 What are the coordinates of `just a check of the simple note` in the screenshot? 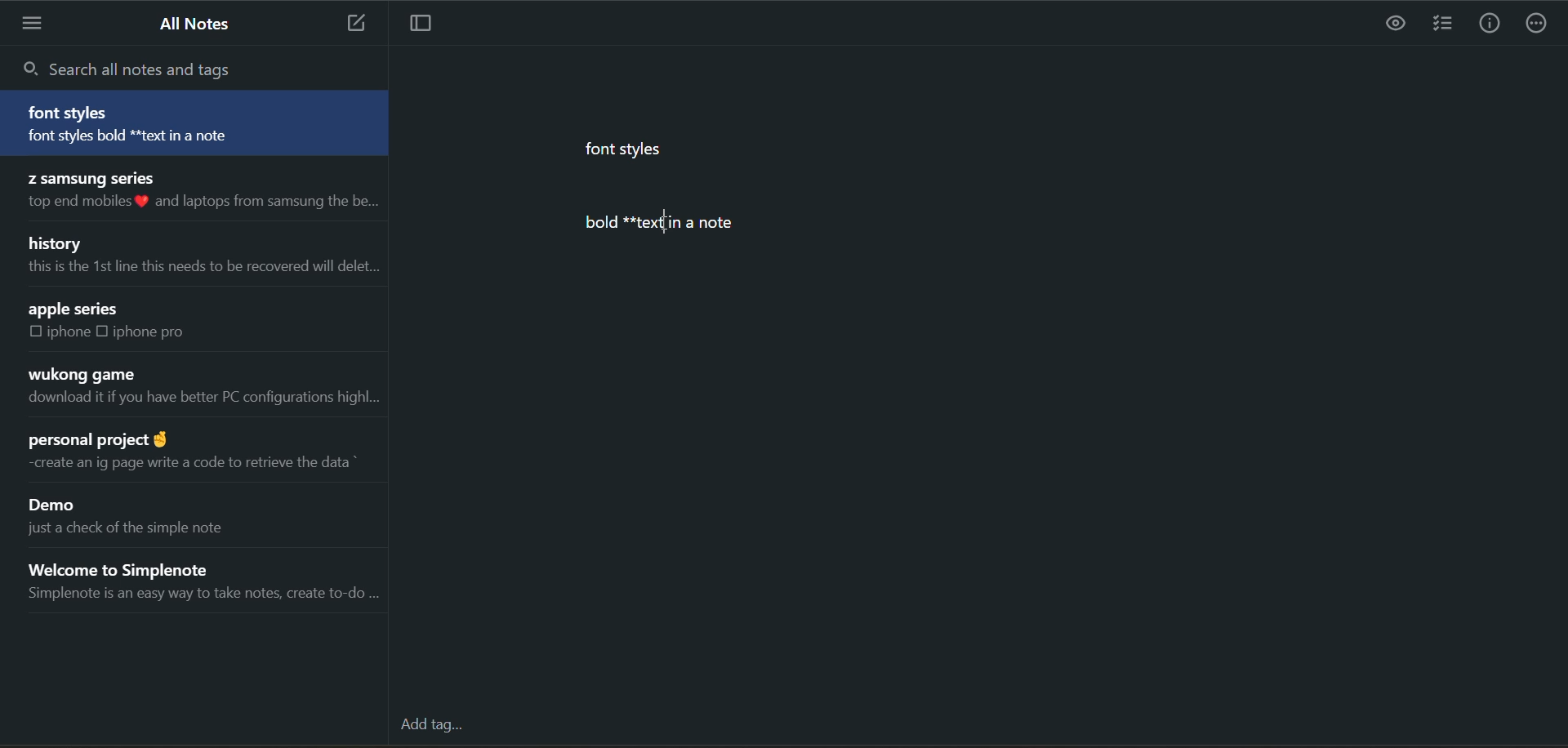 It's located at (141, 532).